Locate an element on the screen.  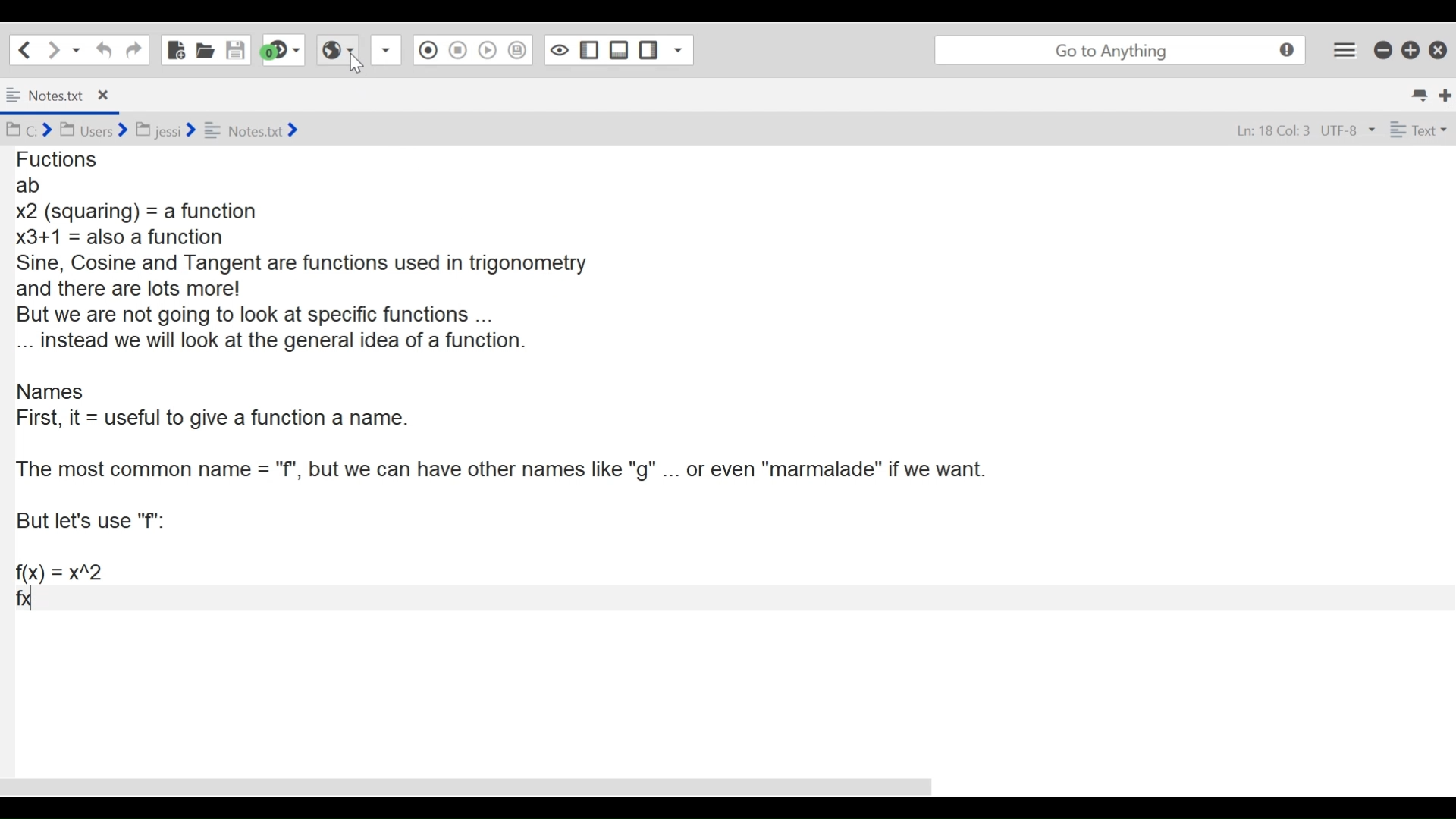
Recent locations is located at coordinates (78, 49).